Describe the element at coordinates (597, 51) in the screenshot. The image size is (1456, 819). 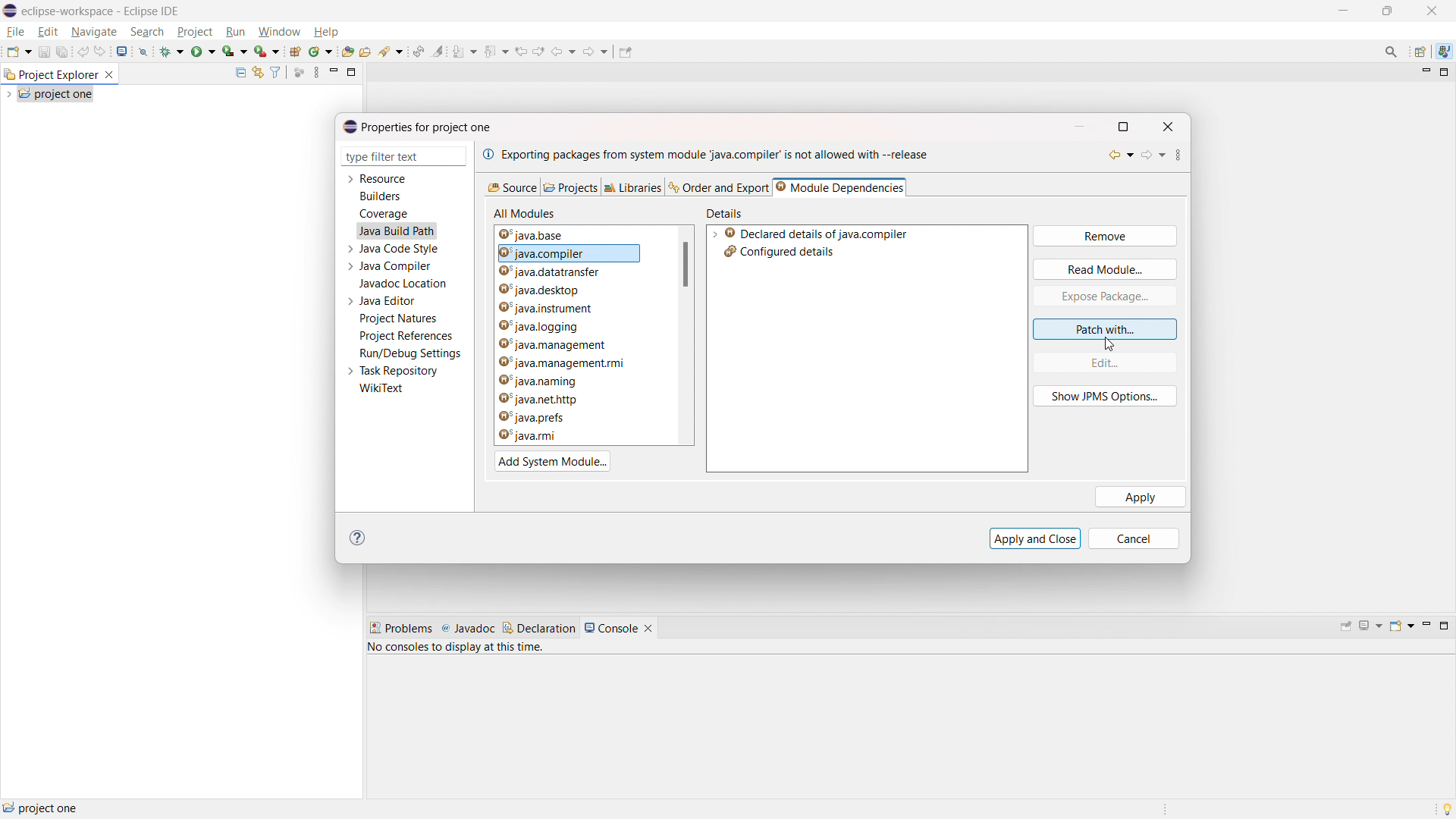
I see `forward` at that location.